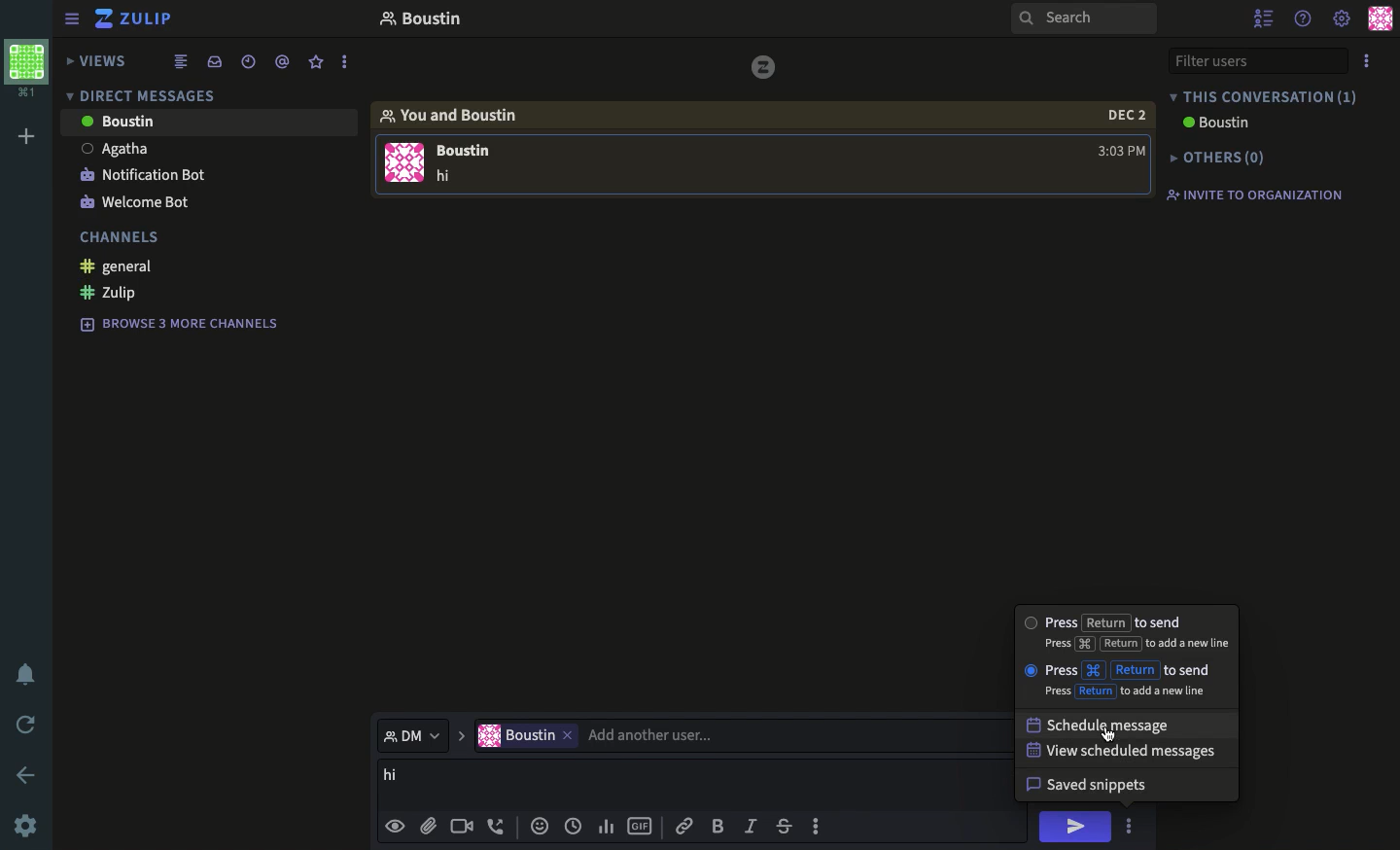  What do you see at coordinates (120, 240) in the screenshot?
I see `channels` at bounding box center [120, 240].